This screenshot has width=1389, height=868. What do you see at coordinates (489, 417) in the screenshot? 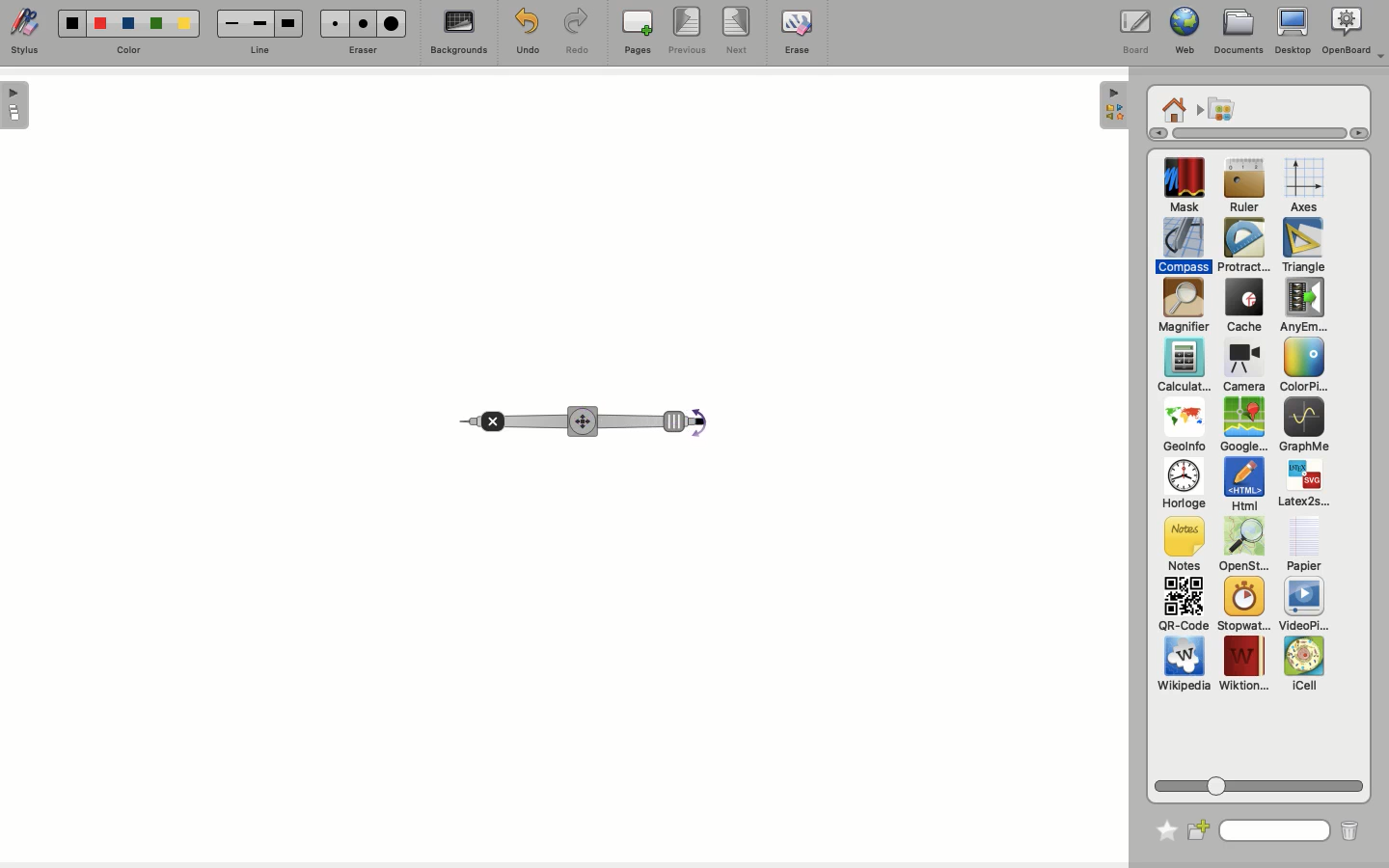
I see `Close` at bounding box center [489, 417].